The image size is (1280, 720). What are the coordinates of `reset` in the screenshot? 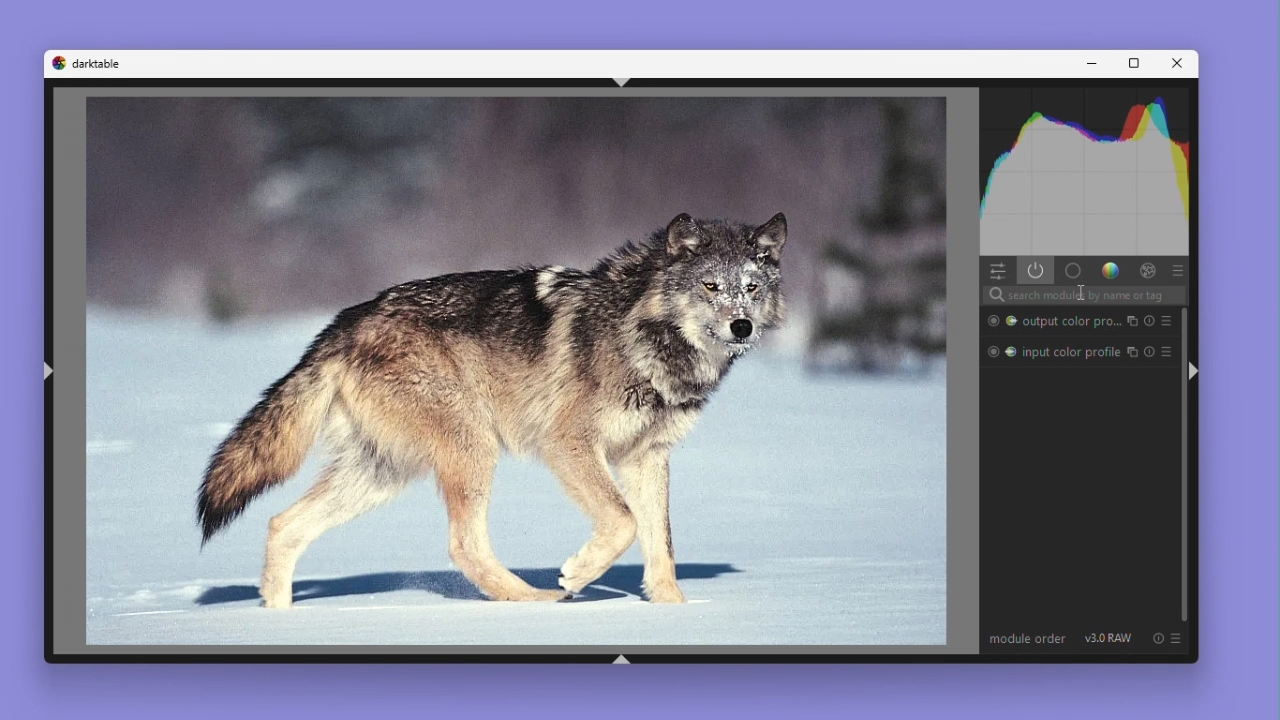 It's located at (1150, 353).